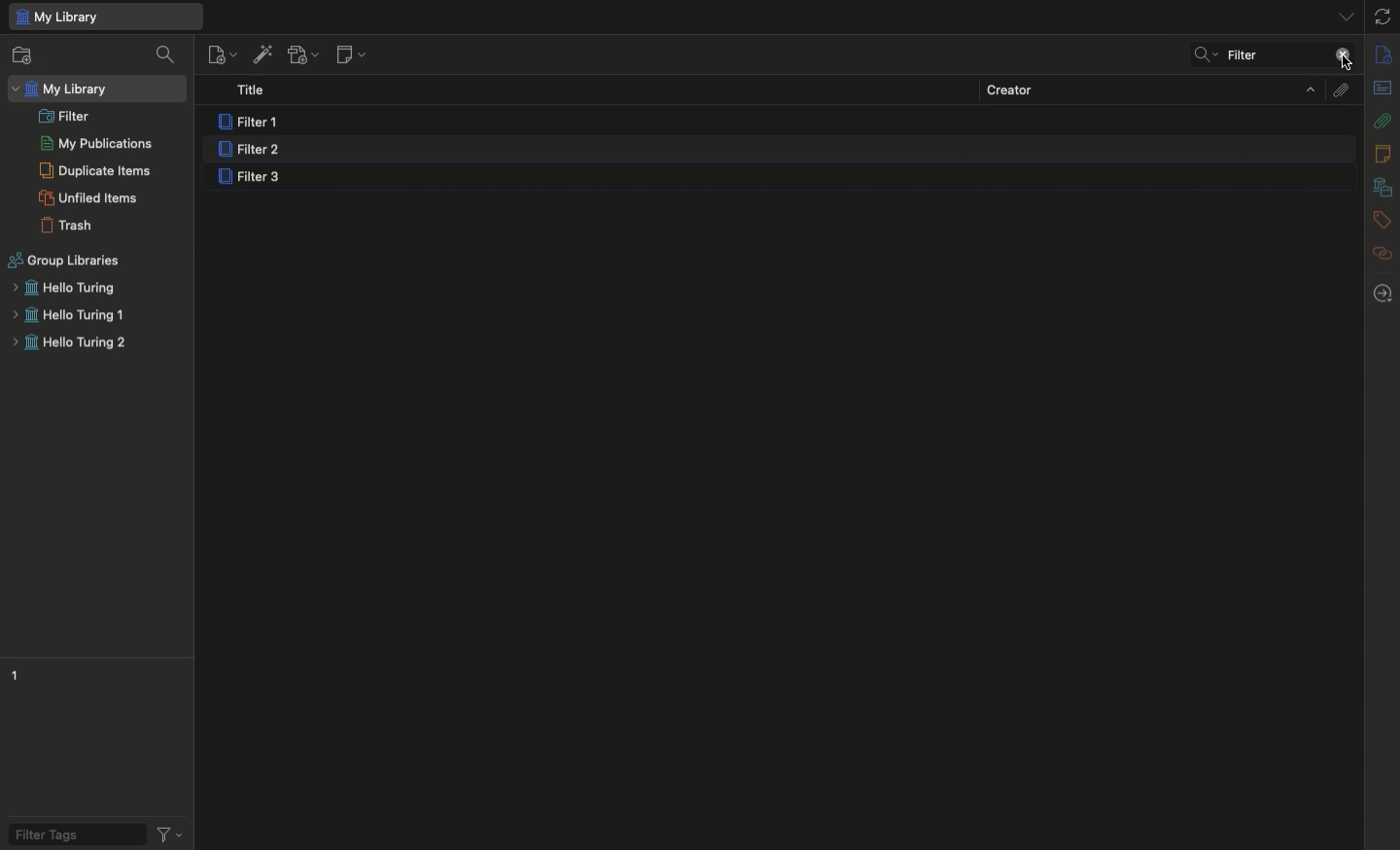  I want to click on Libraries and collections, so click(1382, 189).